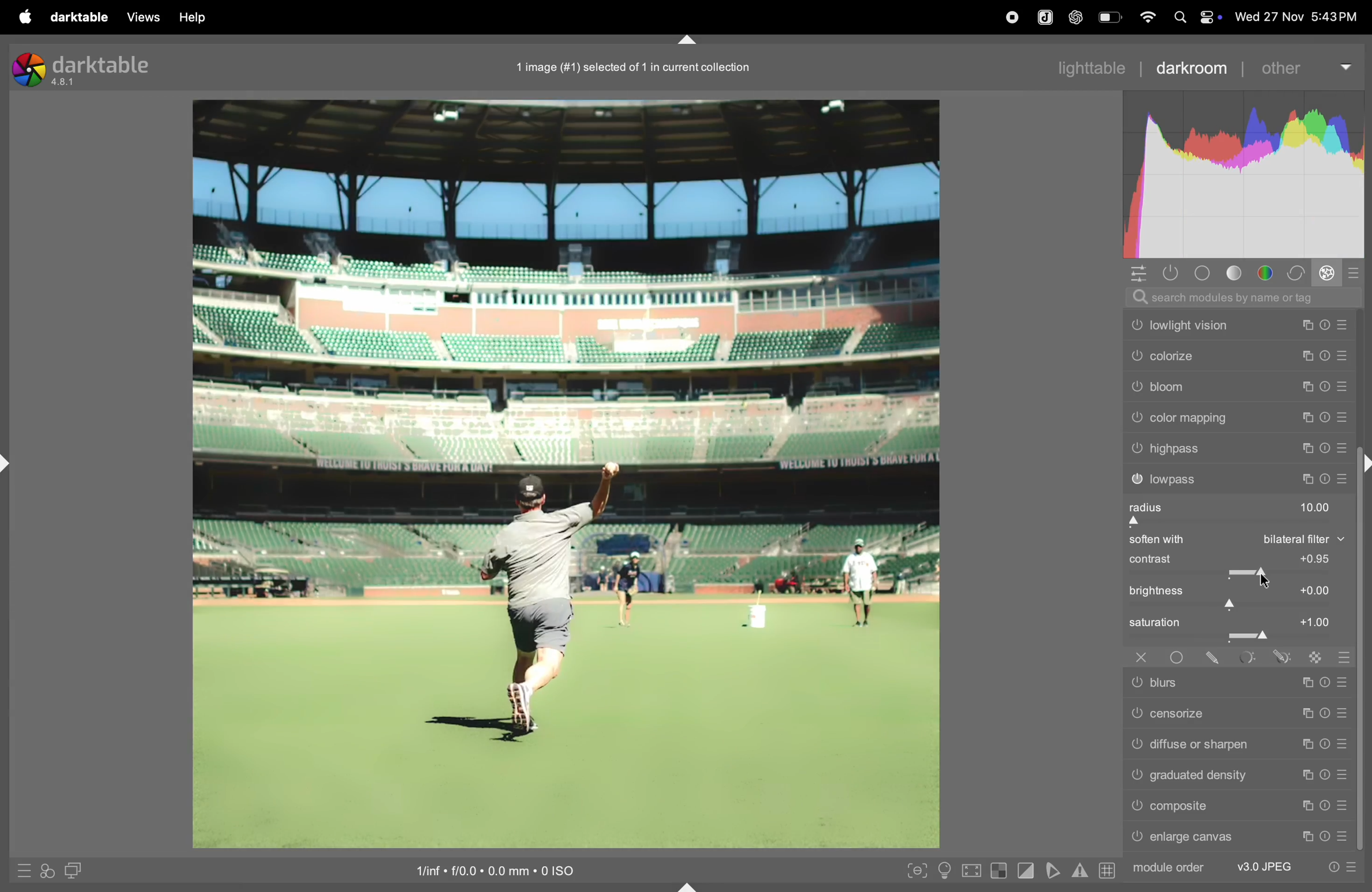  Describe the element at coordinates (1296, 14) in the screenshot. I see `date and time` at that location.